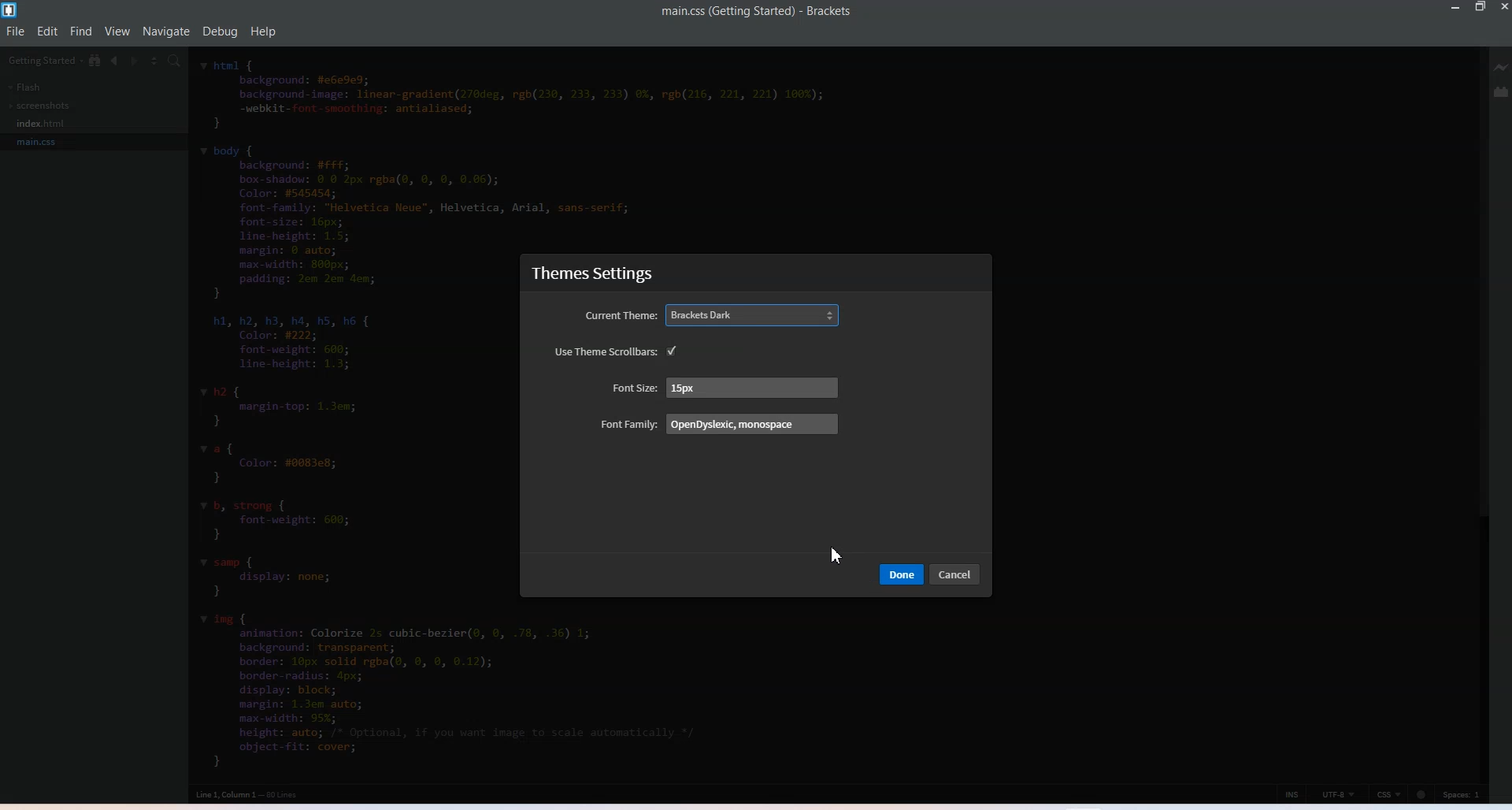 This screenshot has height=810, width=1512. Describe the element at coordinates (1464, 794) in the screenshot. I see `Spaces 1` at that location.